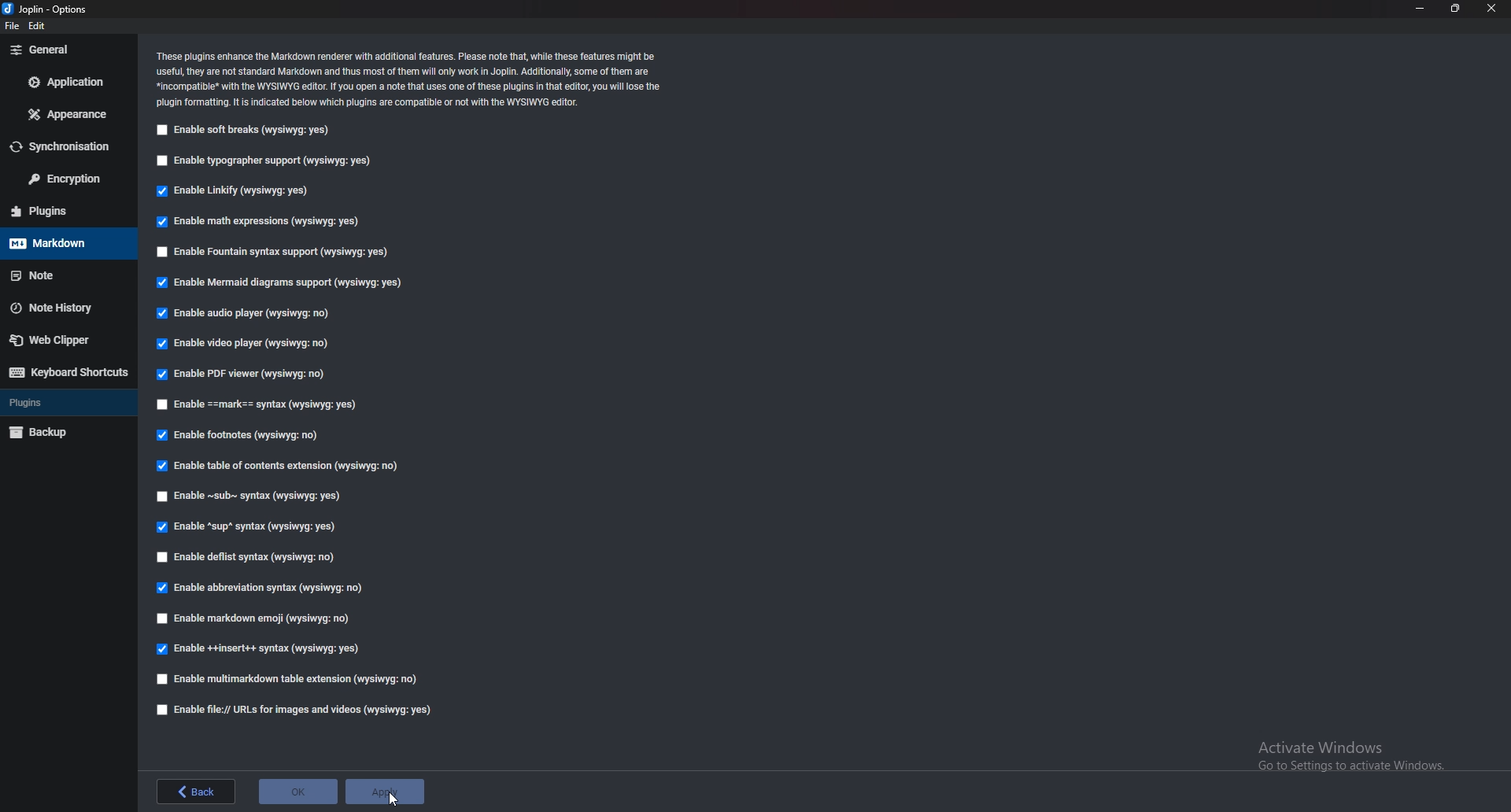 This screenshot has height=812, width=1511. I want to click on Enable Markdown Emoji, so click(257, 619).